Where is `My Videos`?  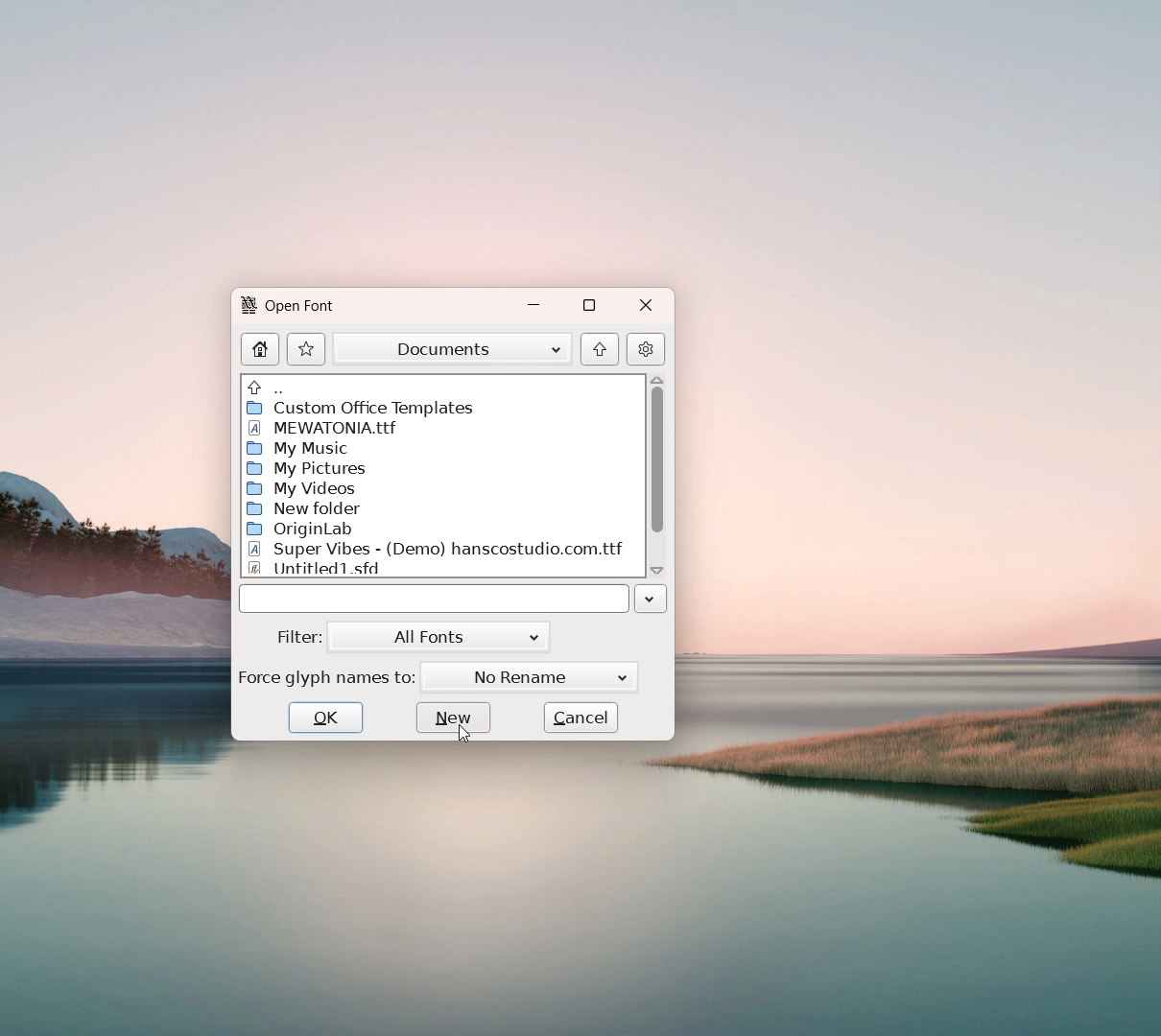 My Videos is located at coordinates (303, 489).